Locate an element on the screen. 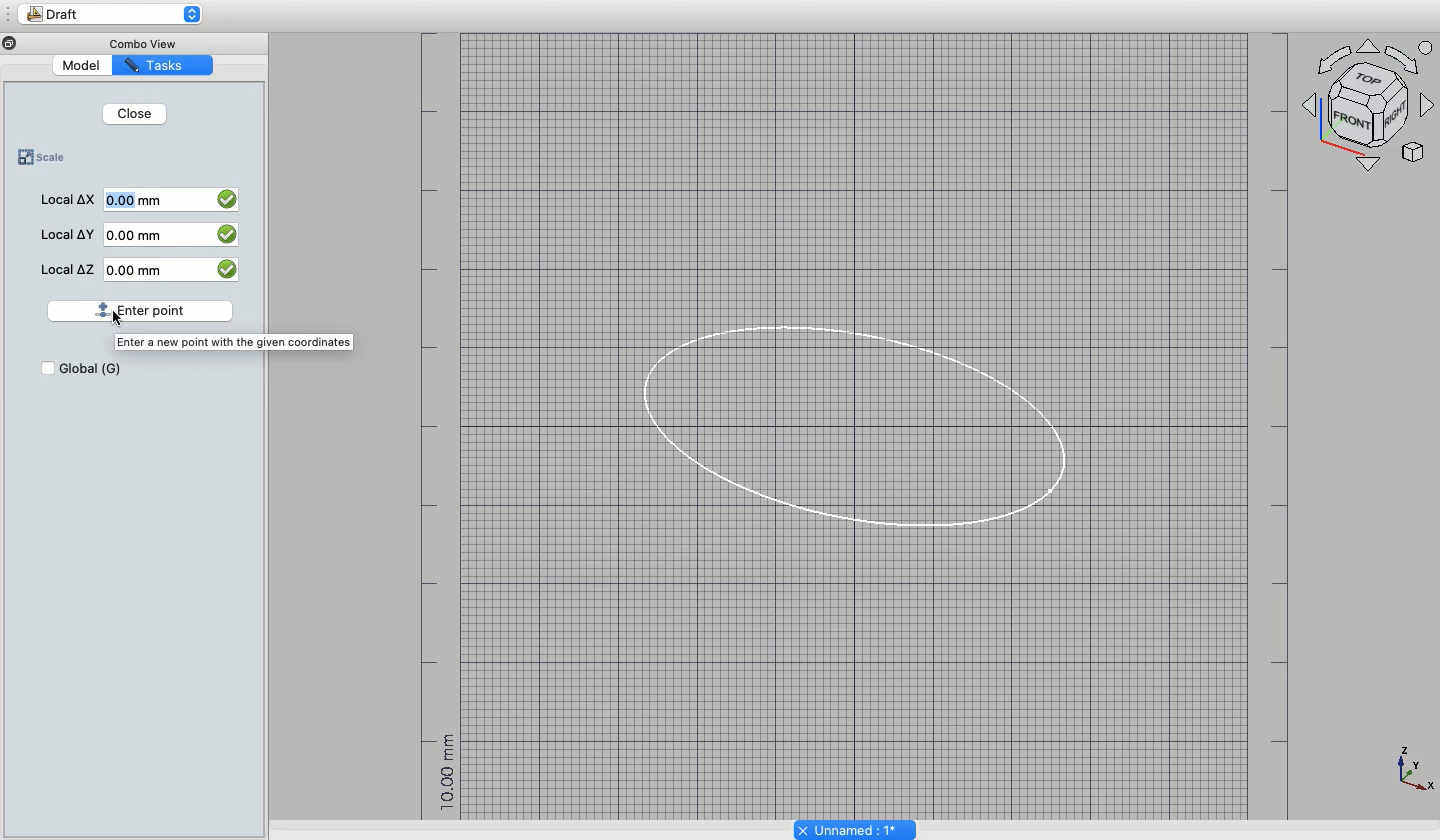 This screenshot has height=840, width=1440. Close is located at coordinates (135, 114).